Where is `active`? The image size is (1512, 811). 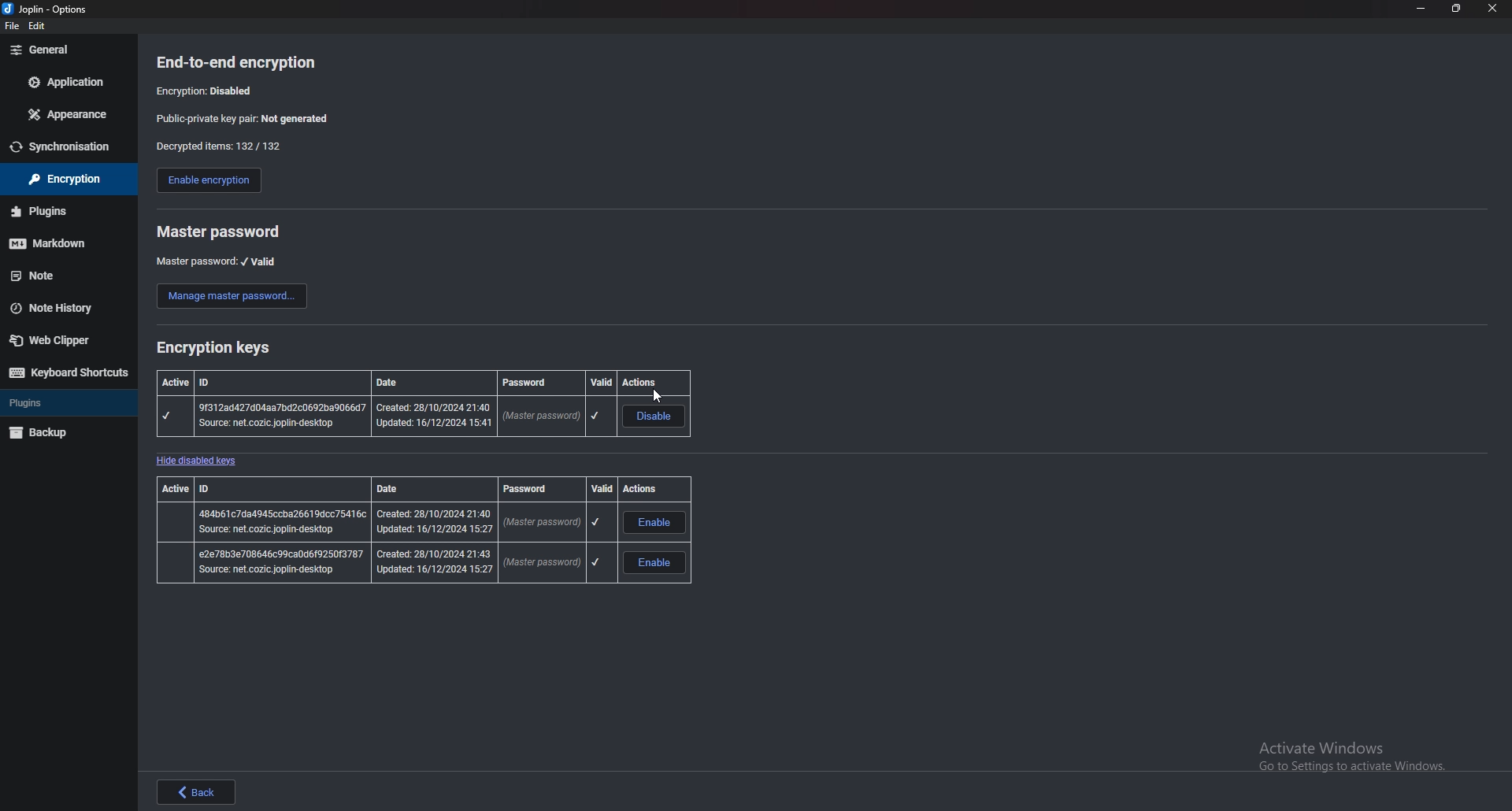 active is located at coordinates (175, 384).